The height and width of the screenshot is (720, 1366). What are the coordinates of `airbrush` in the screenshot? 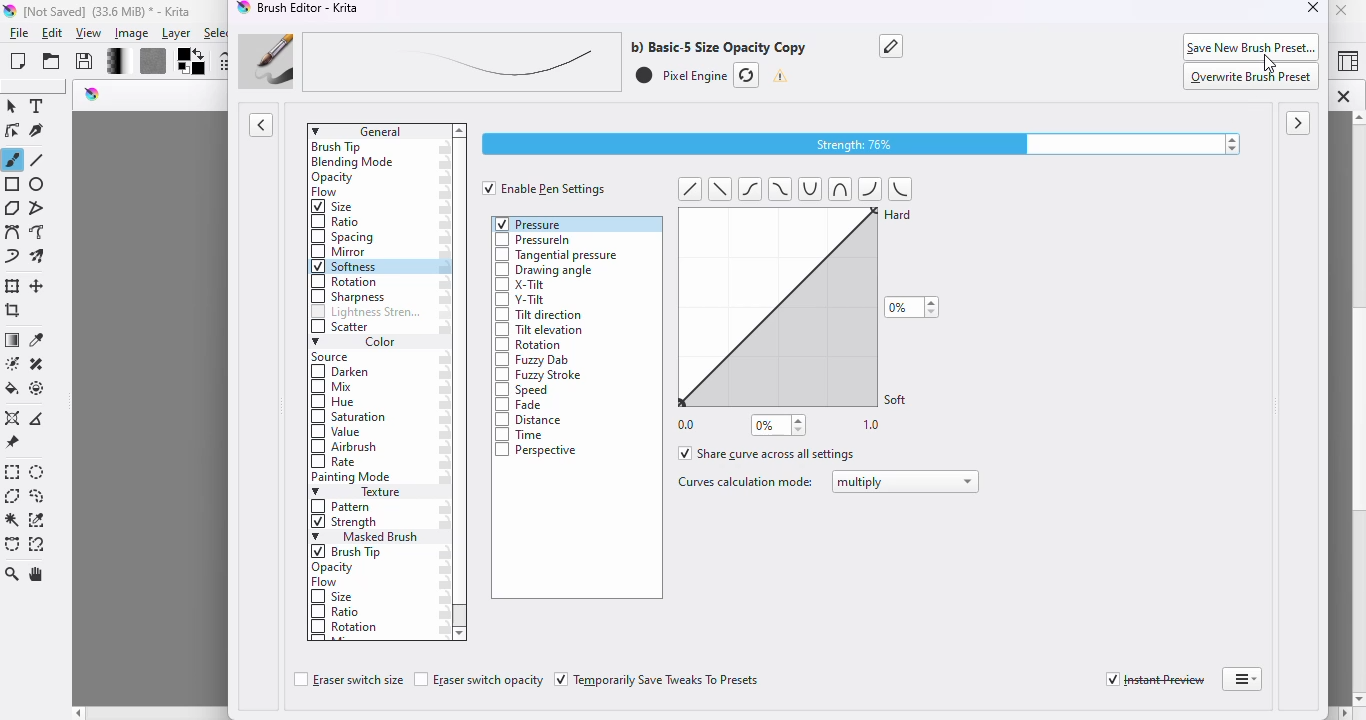 It's located at (344, 448).